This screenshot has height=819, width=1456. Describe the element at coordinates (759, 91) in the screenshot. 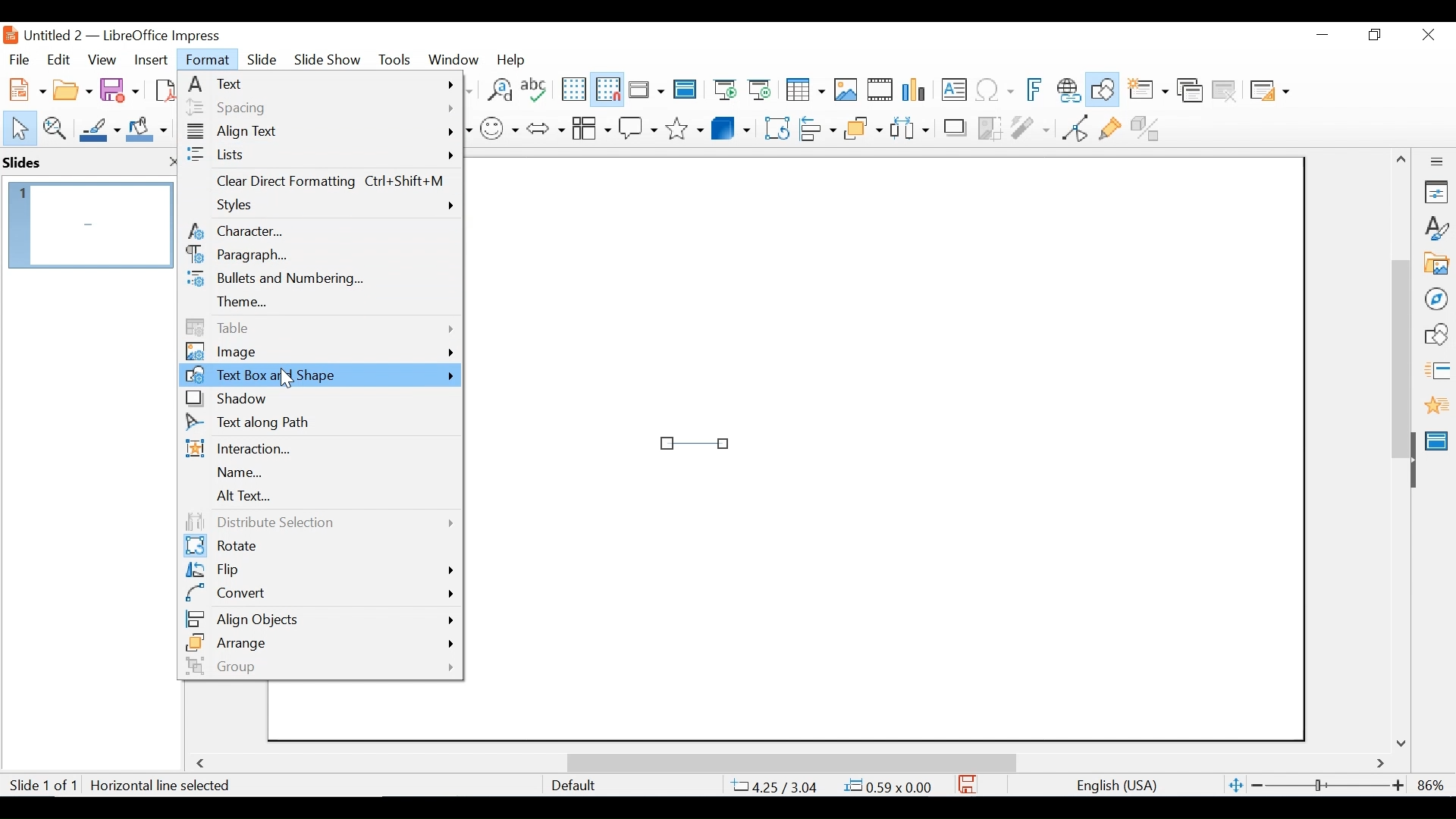

I see `Start from Current Slide` at that location.